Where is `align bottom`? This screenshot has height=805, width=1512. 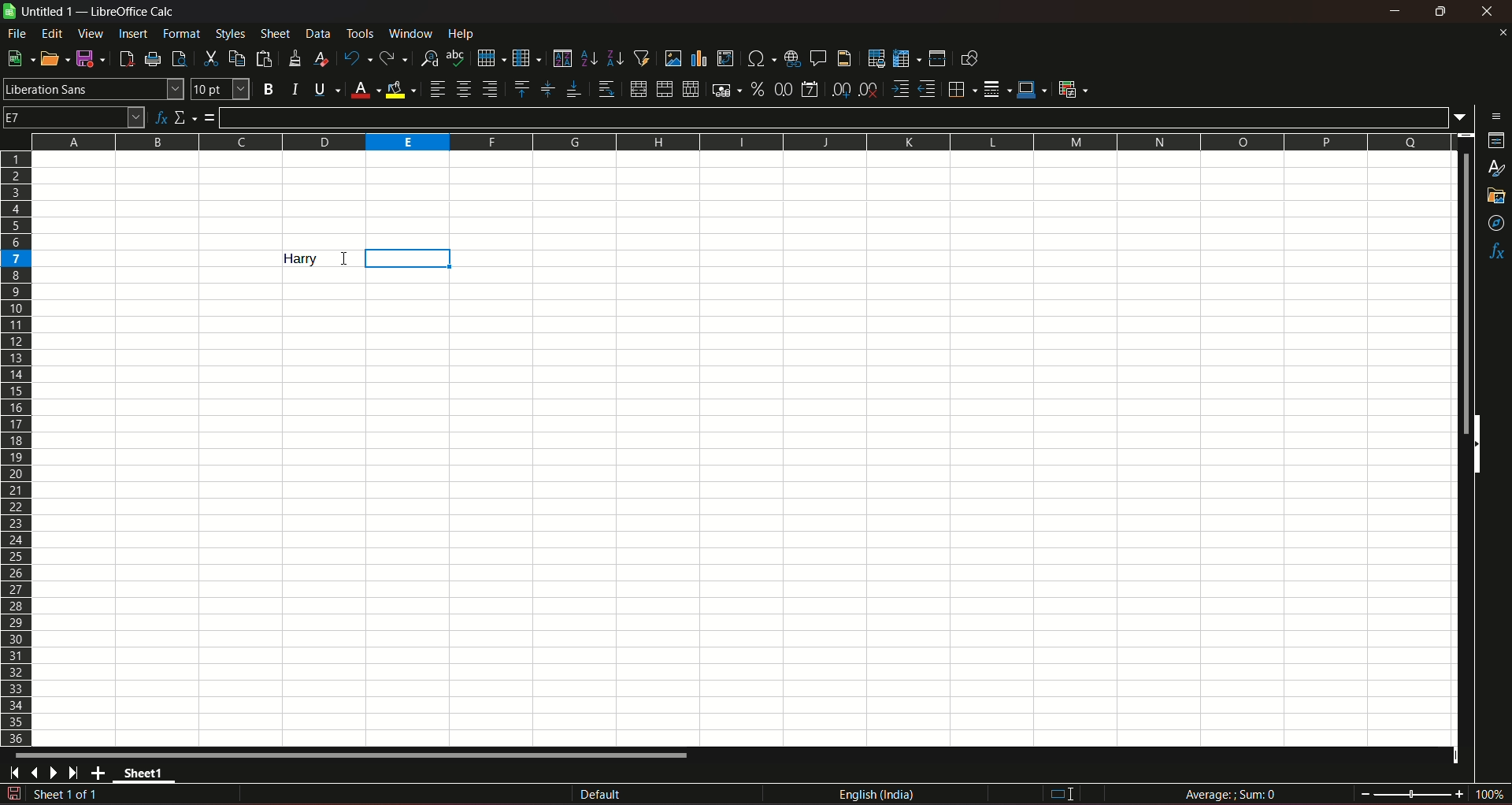 align bottom is located at coordinates (573, 89).